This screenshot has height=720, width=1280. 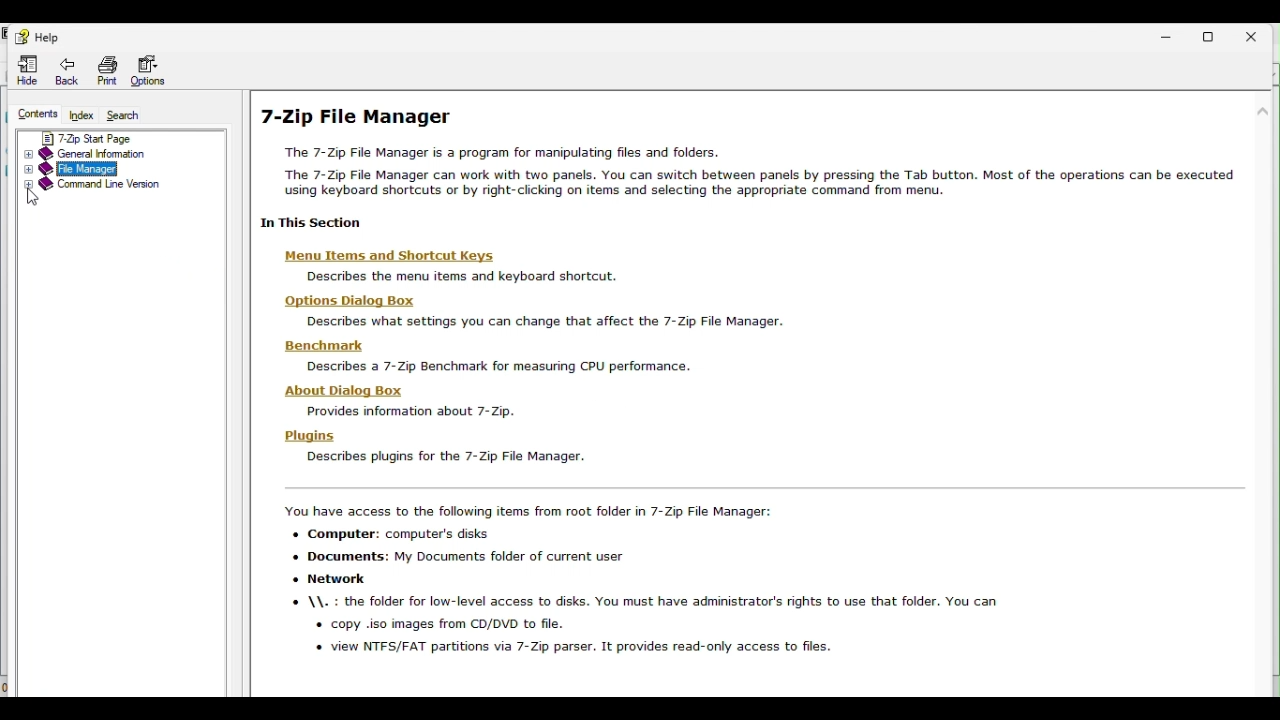 I want to click on description text, so click(x=668, y=586).